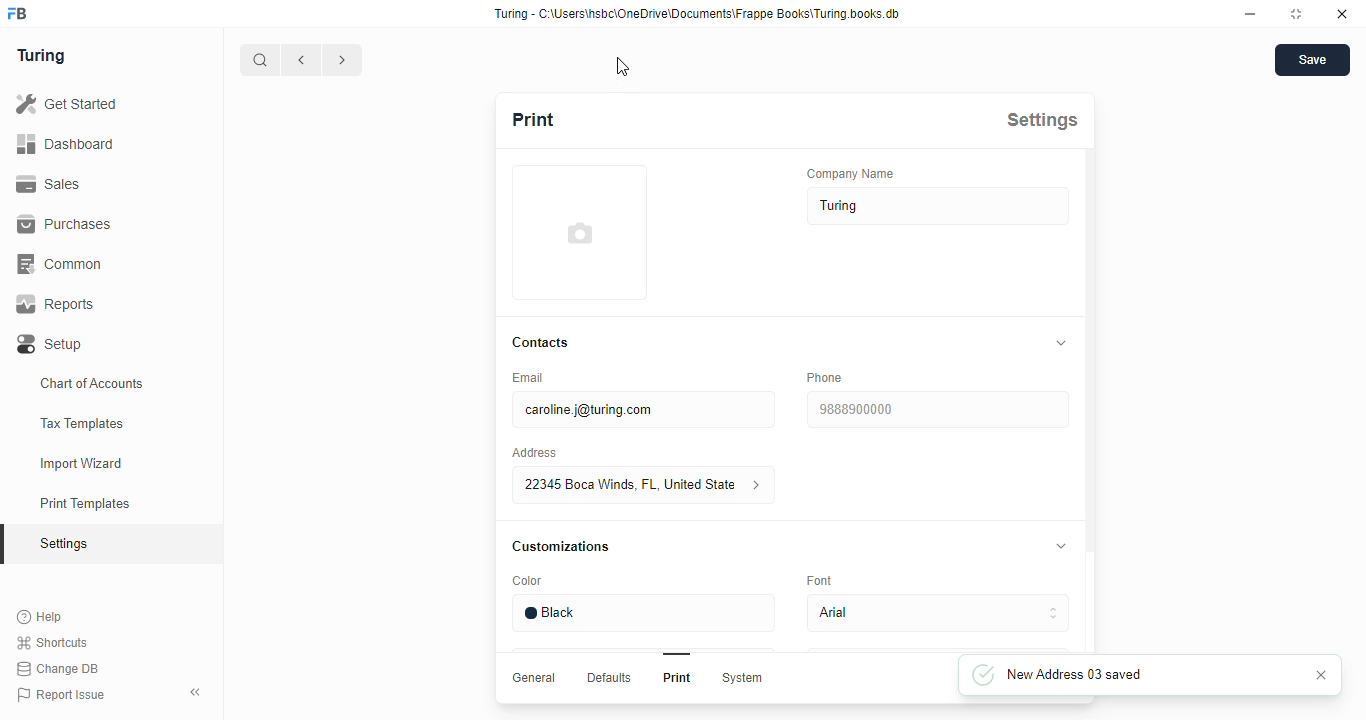  Describe the element at coordinates (611, 678) in the screenshot. I see `Defaults` at that location.